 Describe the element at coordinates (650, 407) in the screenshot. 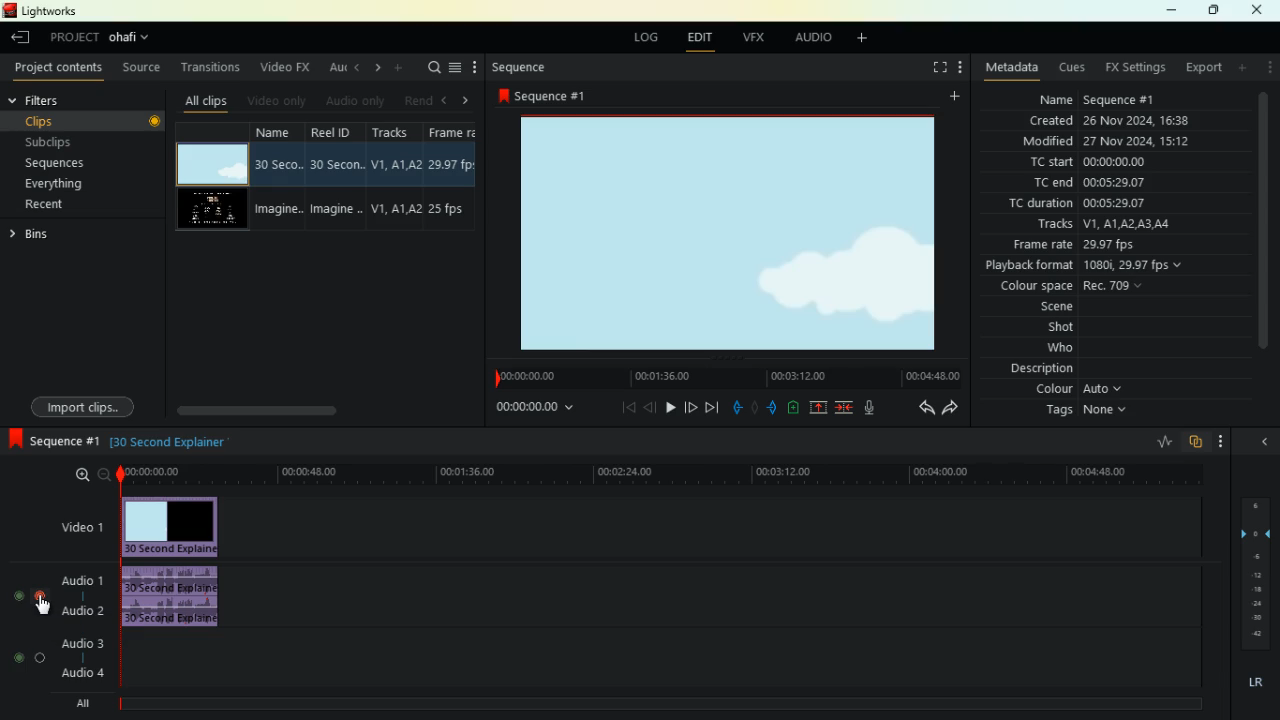

I see `back` at that location.